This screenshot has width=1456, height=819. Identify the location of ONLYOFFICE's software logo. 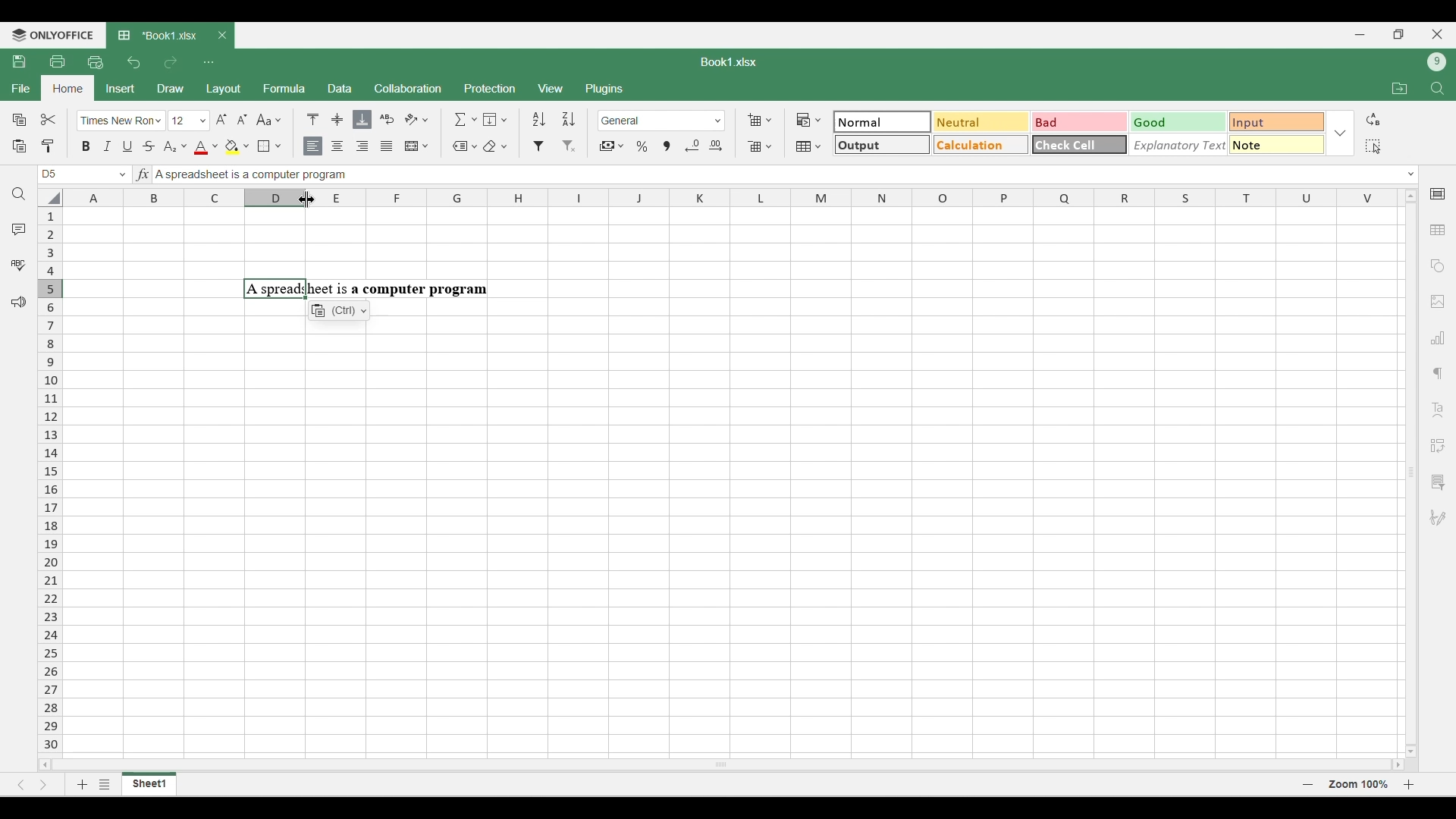
(53, 36).